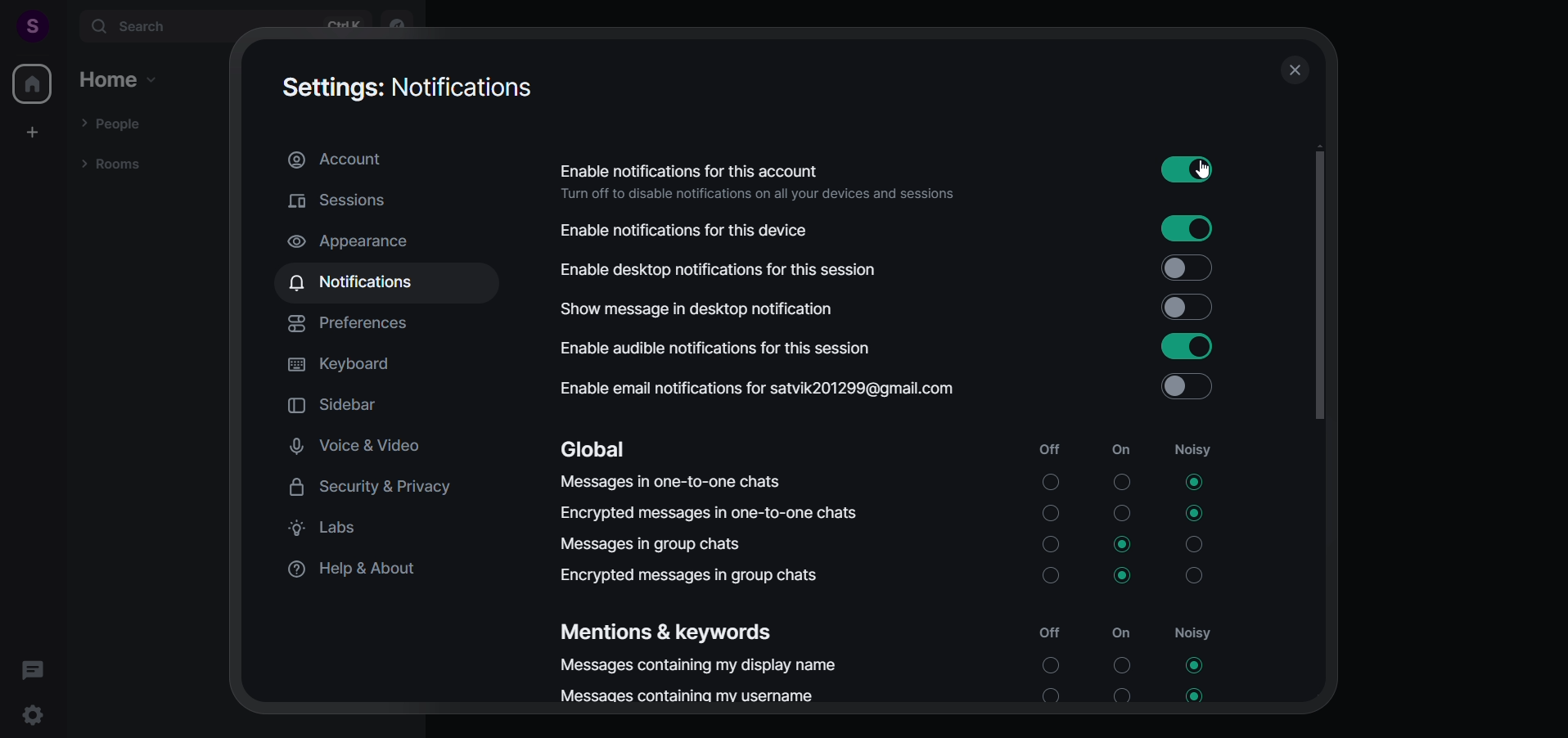  Describe the element at coordinates (899, 310) in the screenshot. I see `show message in desktop notification` at that location.